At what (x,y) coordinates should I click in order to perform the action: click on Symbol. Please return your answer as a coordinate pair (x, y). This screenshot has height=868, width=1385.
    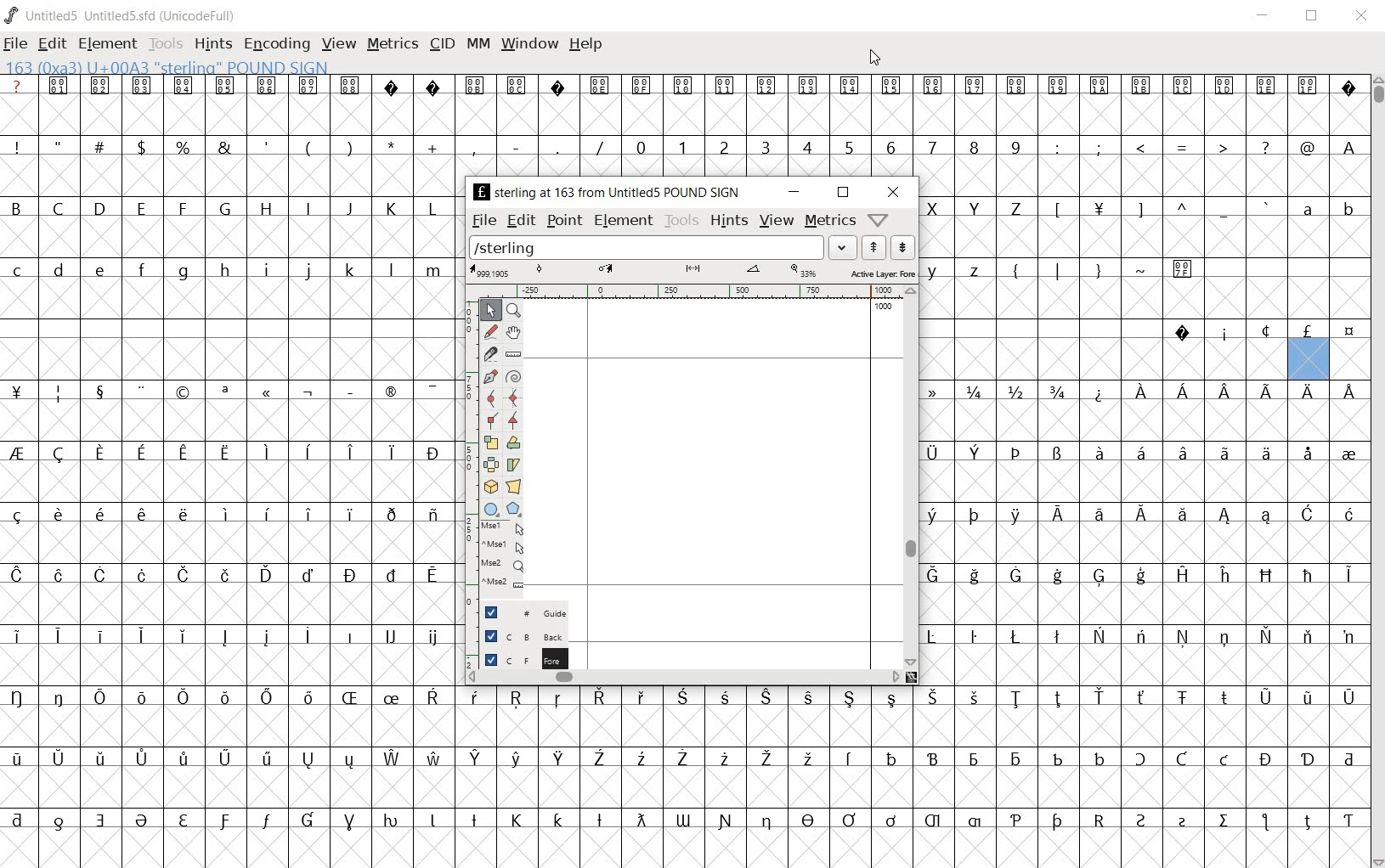
    Looking at the image, I should click on (143, 84).